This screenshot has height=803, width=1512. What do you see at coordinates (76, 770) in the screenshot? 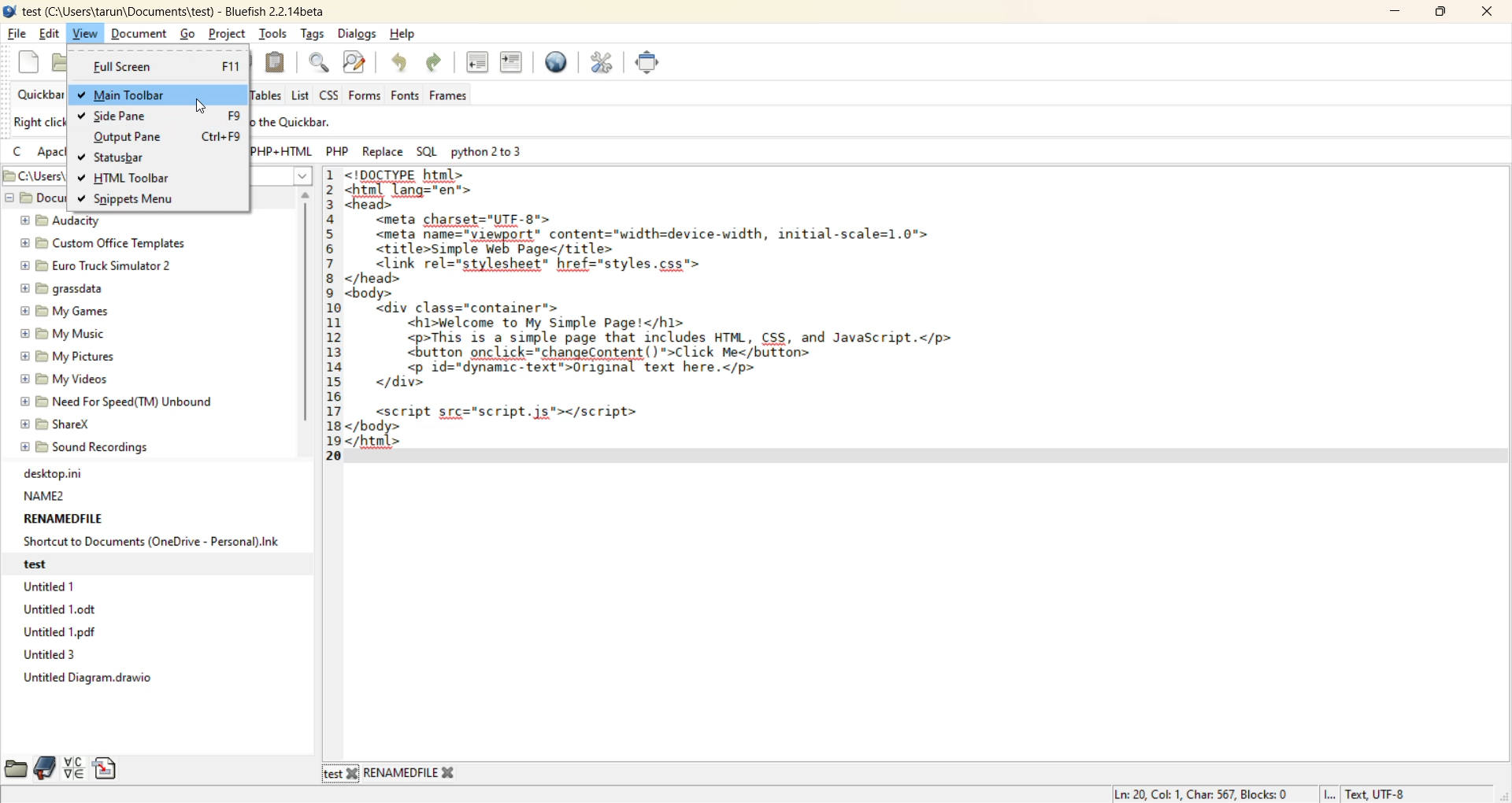
I see `charmap` at bounding box center [76, 770].